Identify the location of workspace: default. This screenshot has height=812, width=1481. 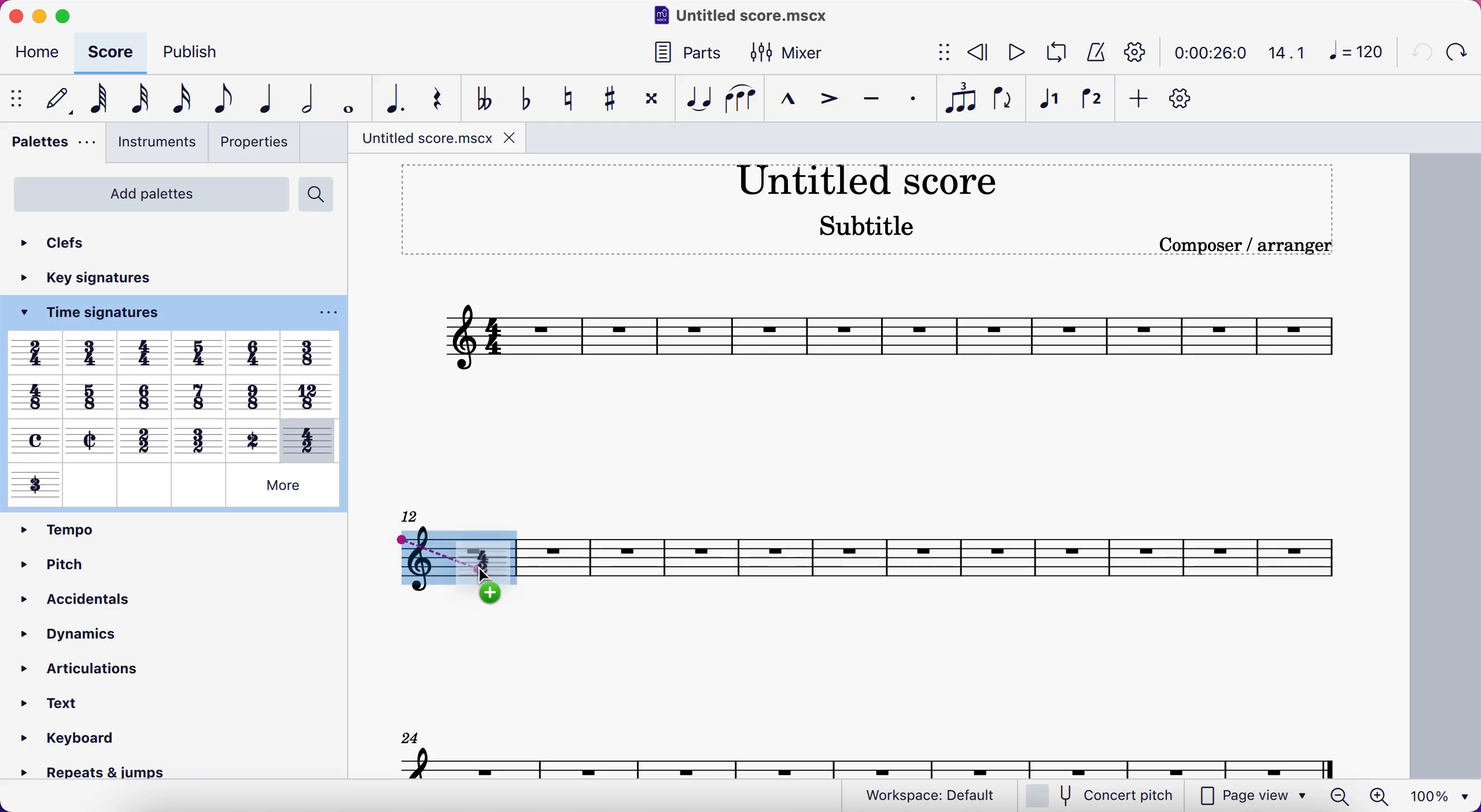
(922, 793).